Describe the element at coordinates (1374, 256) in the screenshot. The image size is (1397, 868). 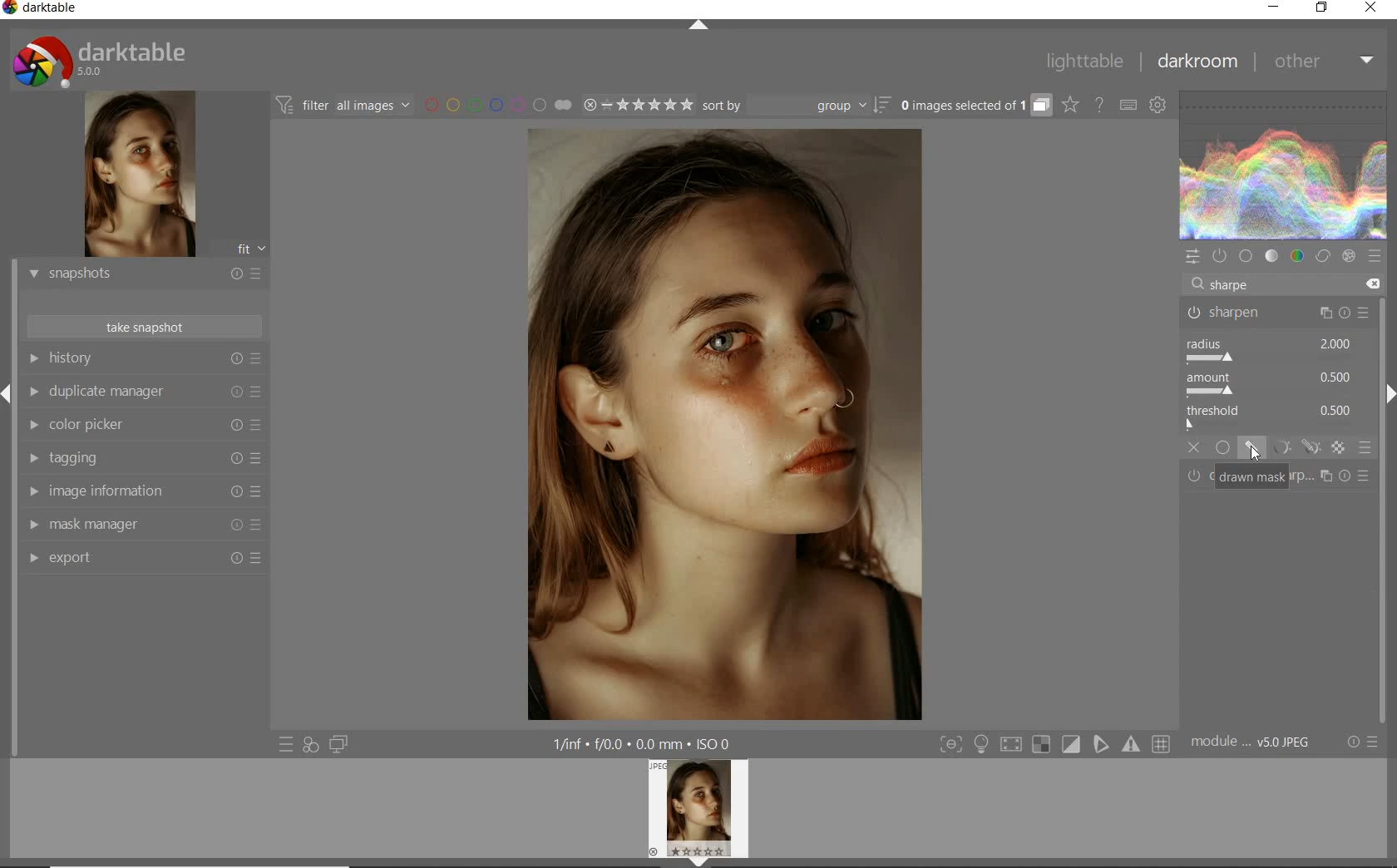
I see `presets` at that location.